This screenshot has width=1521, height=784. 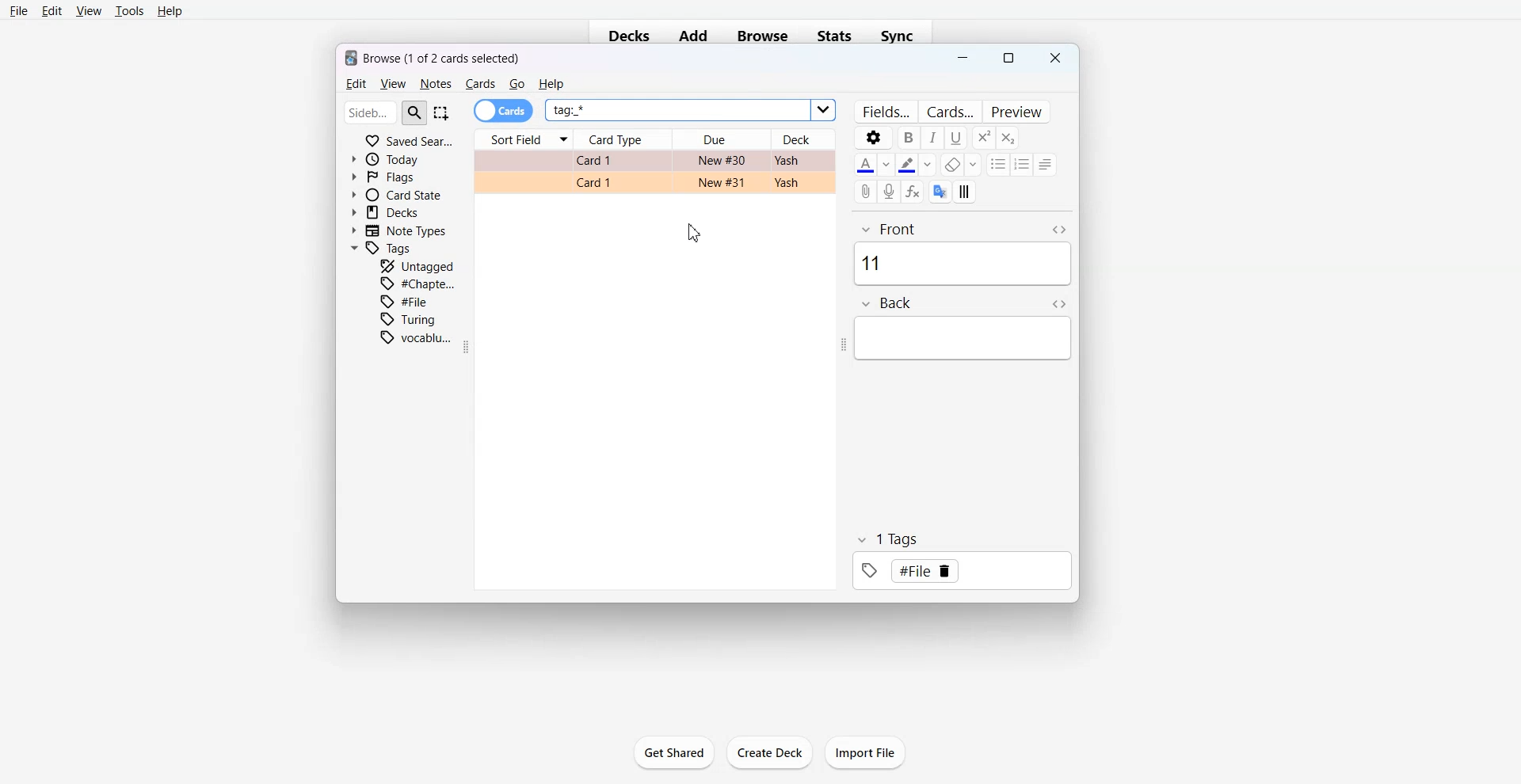 I want to click on Add, so click(x=693, y=36).